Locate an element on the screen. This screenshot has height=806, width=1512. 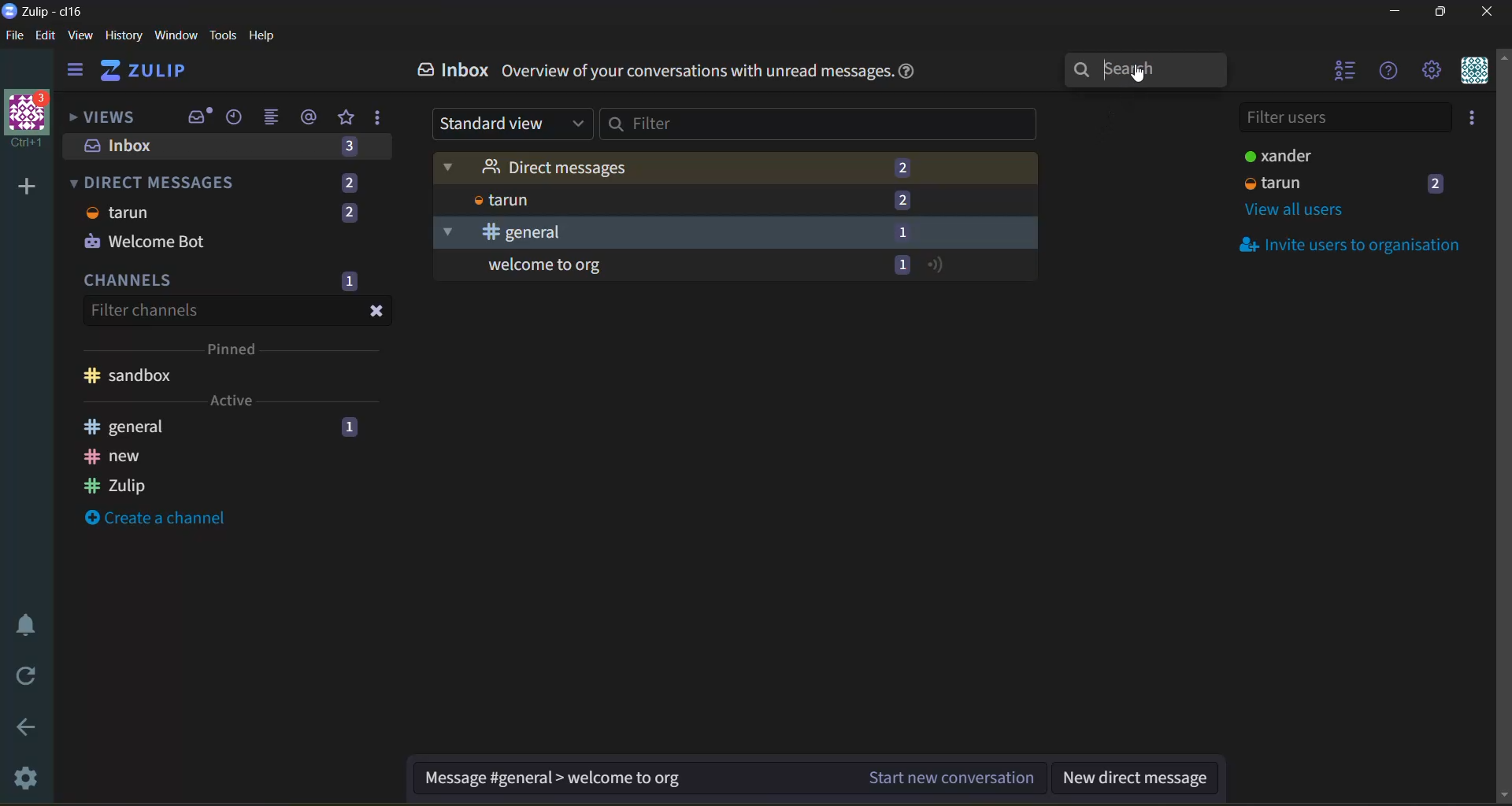
organisation  Ctrl+1 is located at coordinates (31, 121).